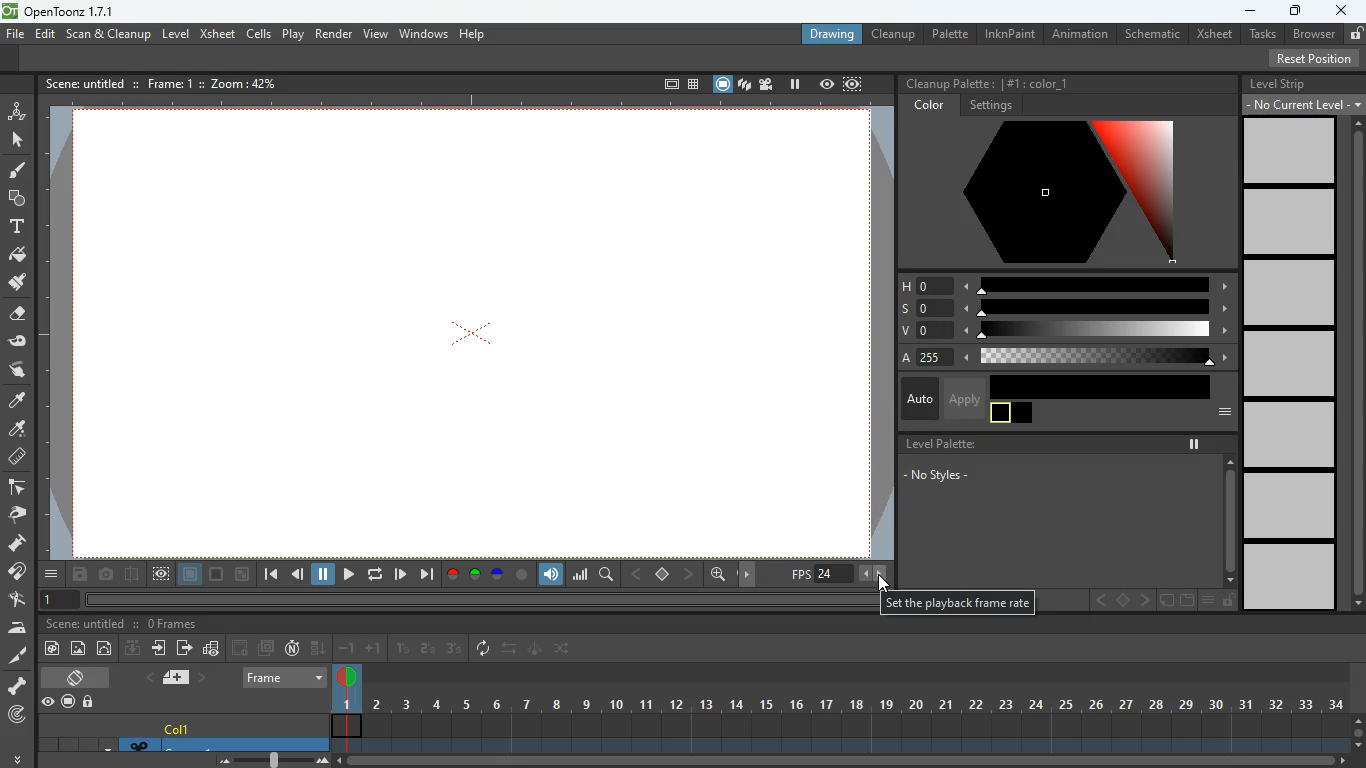  Describe the element at coordinates (428, 575) in the screenshot. I see `end` at that location.